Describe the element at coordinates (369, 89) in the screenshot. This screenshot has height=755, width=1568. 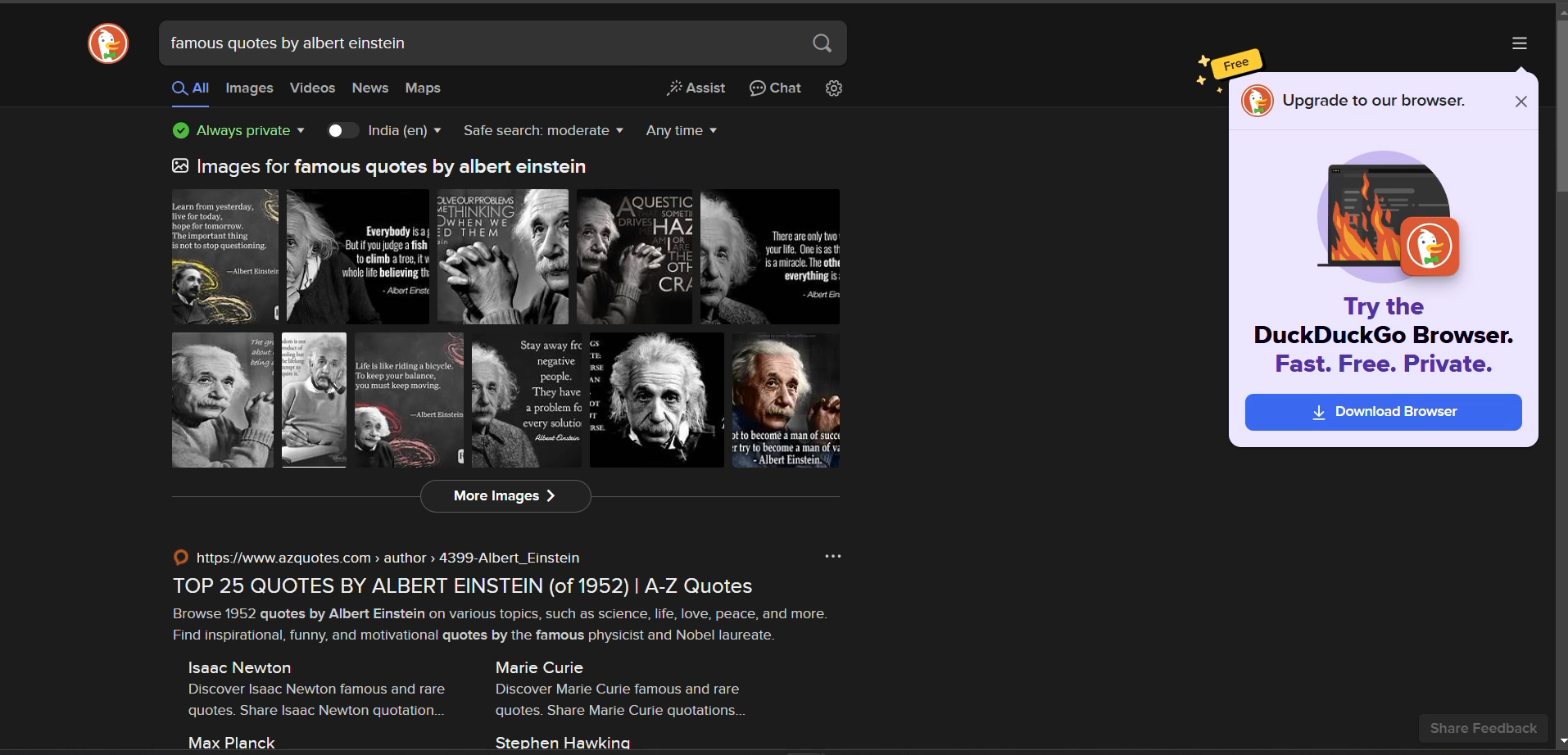
I see `news` at that location.